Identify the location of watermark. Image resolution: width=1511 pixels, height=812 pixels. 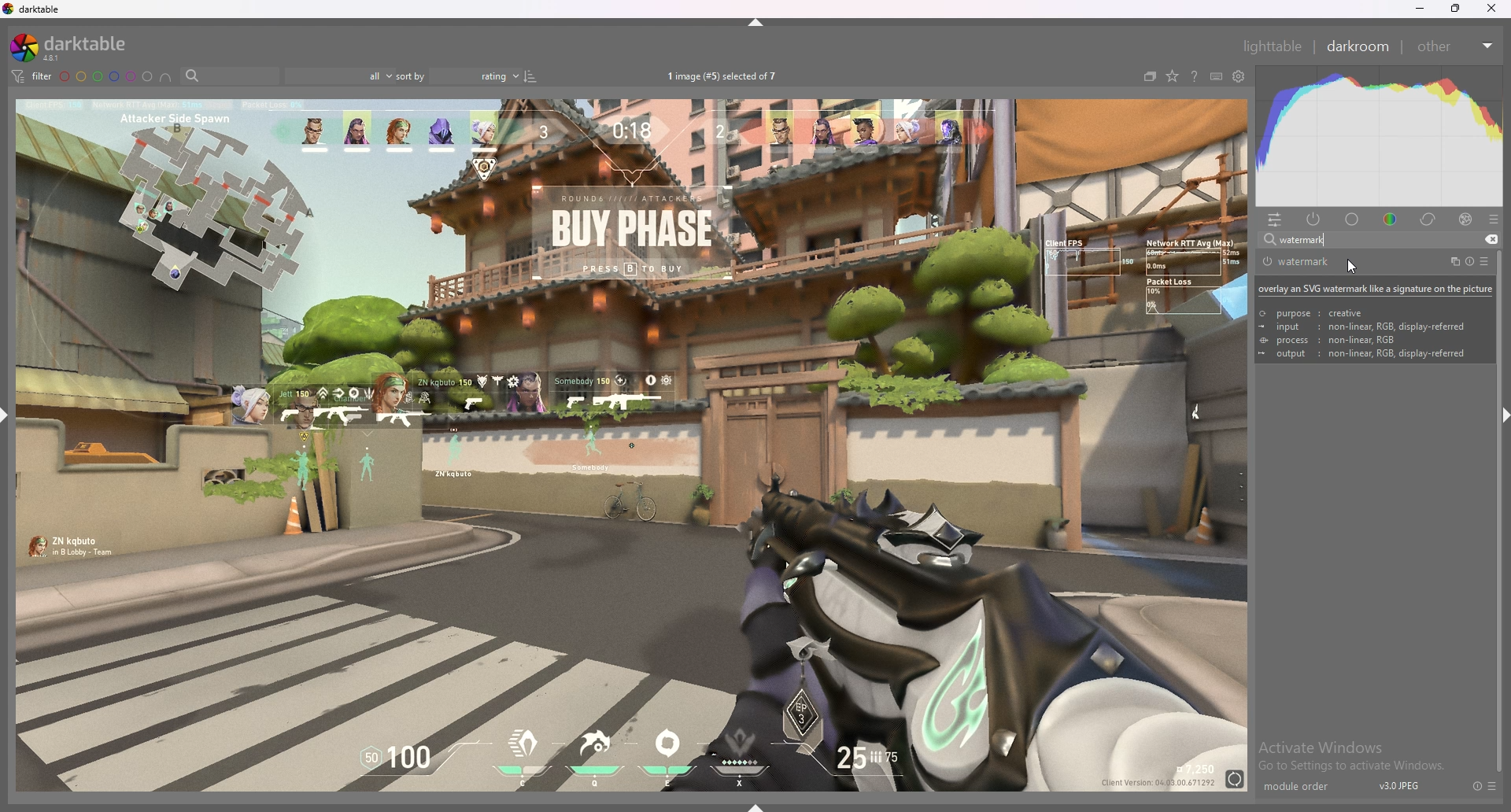
(1317, 262).